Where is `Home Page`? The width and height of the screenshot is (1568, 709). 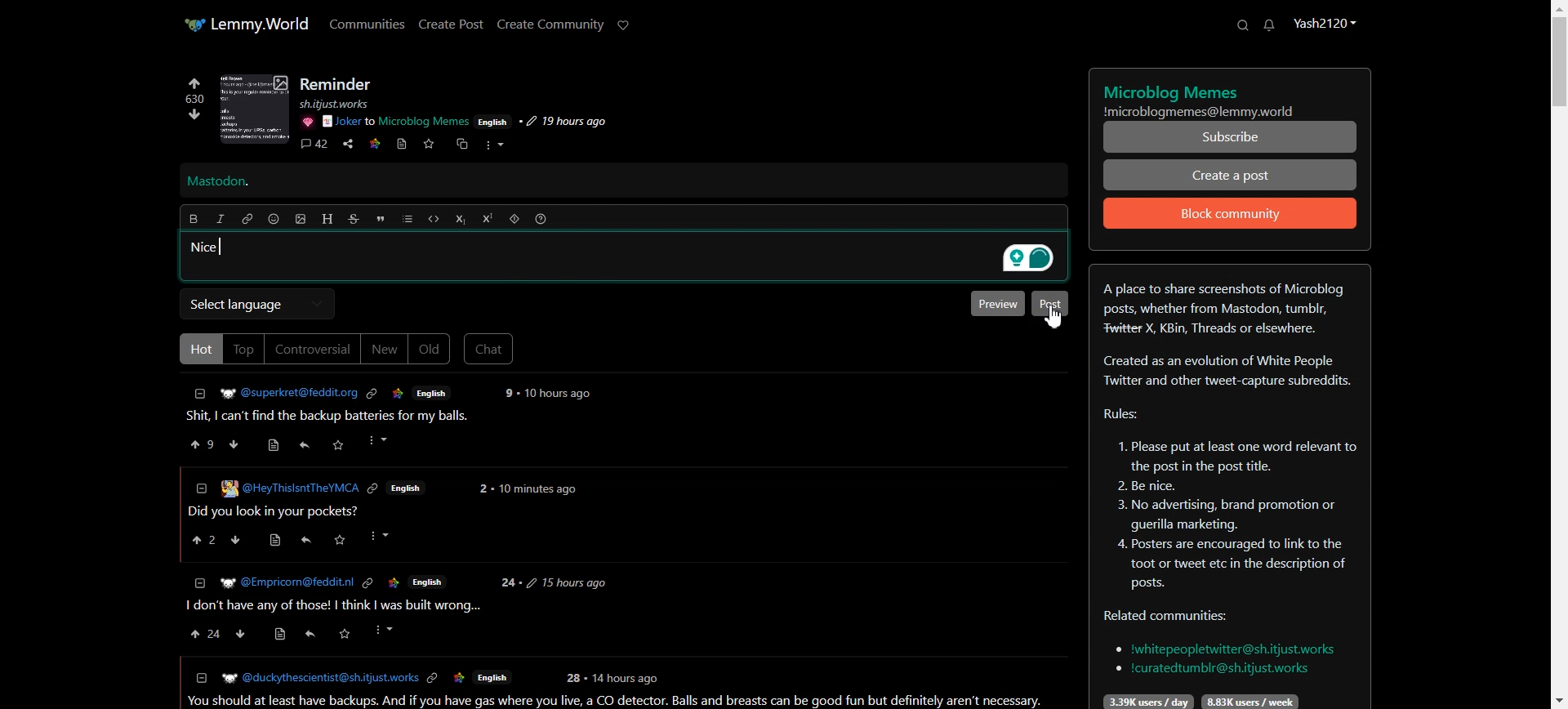
Home Page is located at coordinates (246, 24).